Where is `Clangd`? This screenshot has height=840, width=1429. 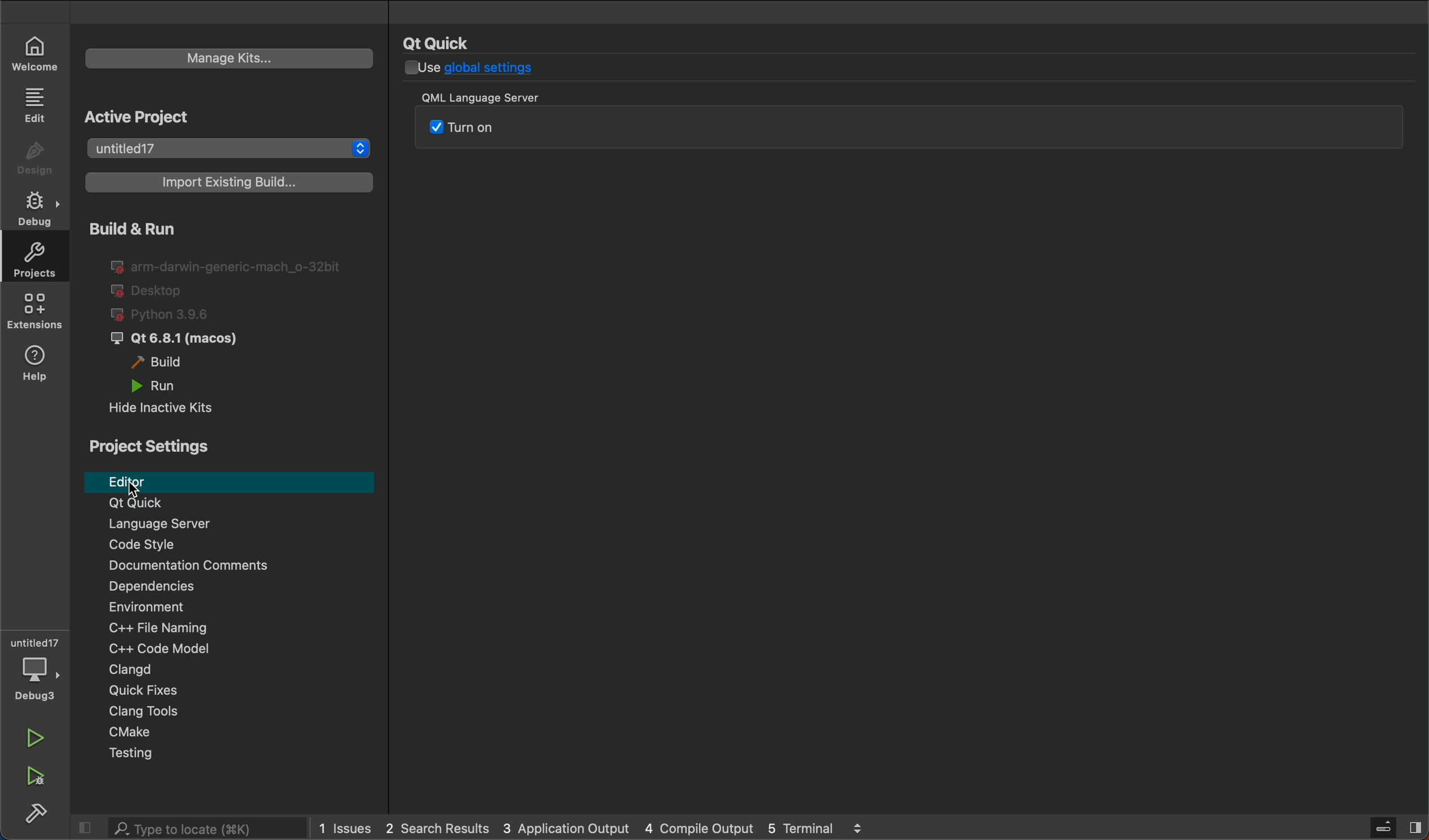
Clangd is located at coordinates (240, 671).